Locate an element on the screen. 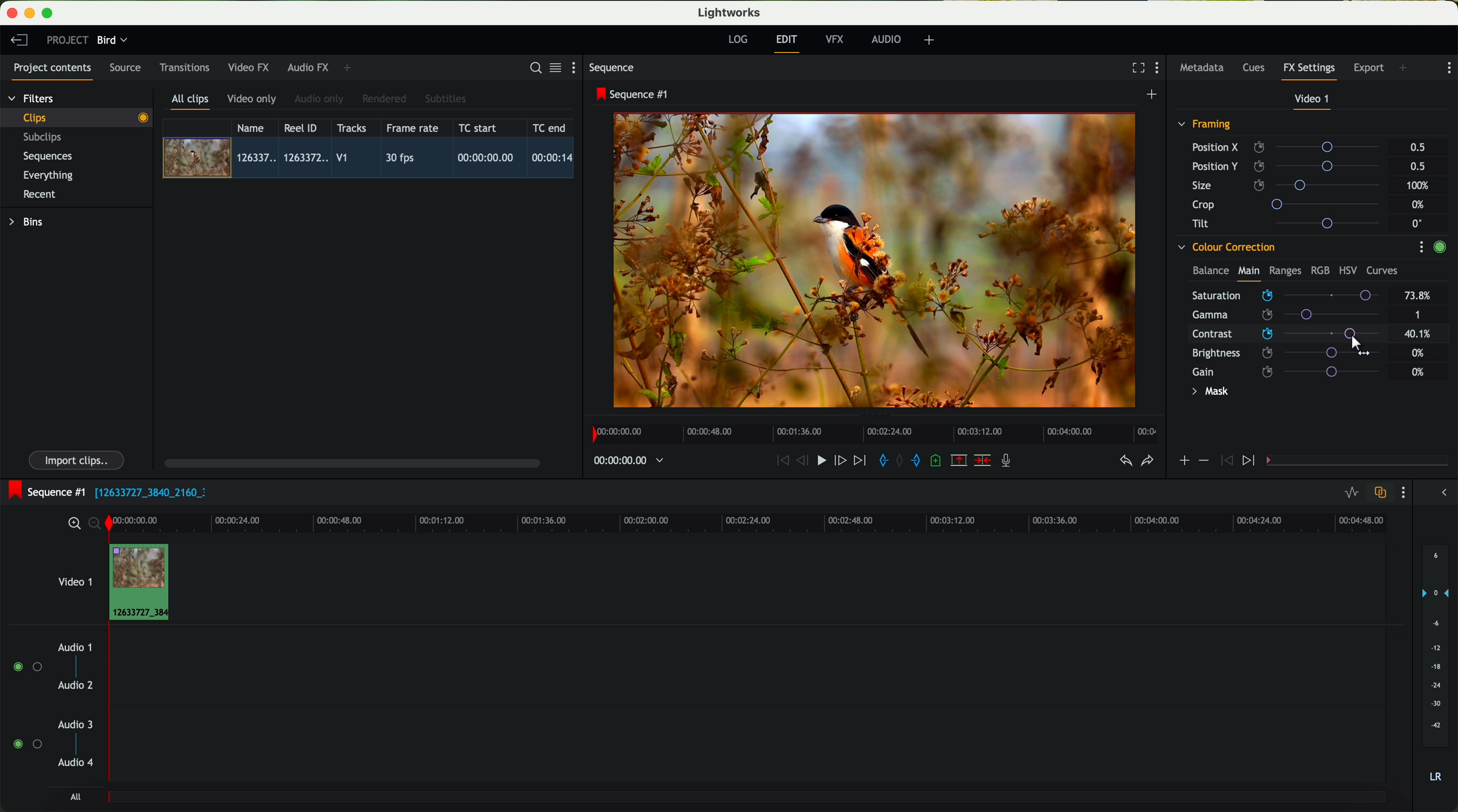 This screenshot has width=1458, height=812. fullscreen is located at coordinates (1136, 67).